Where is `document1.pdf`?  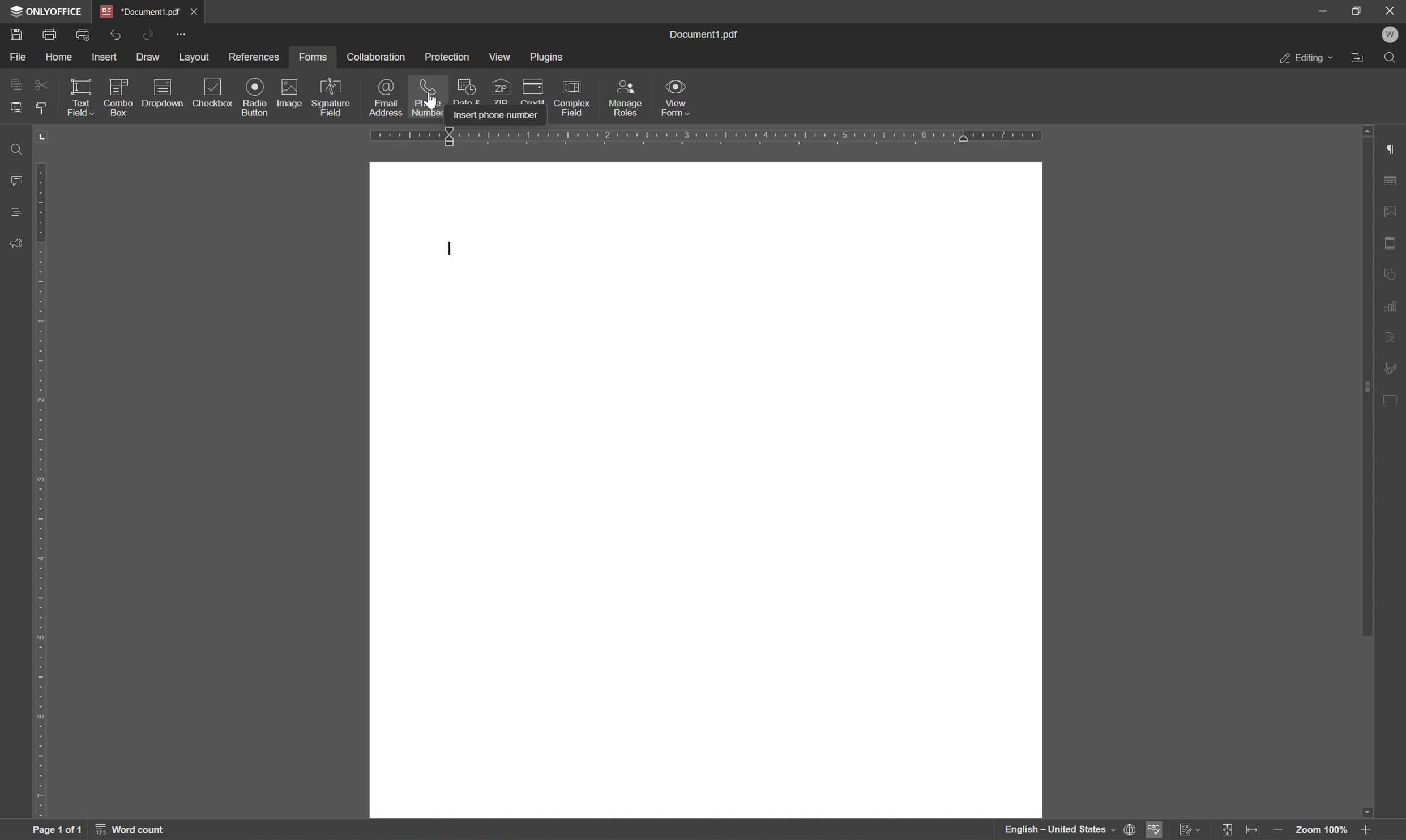 document1.pdf is located at coordinates (708, 34).